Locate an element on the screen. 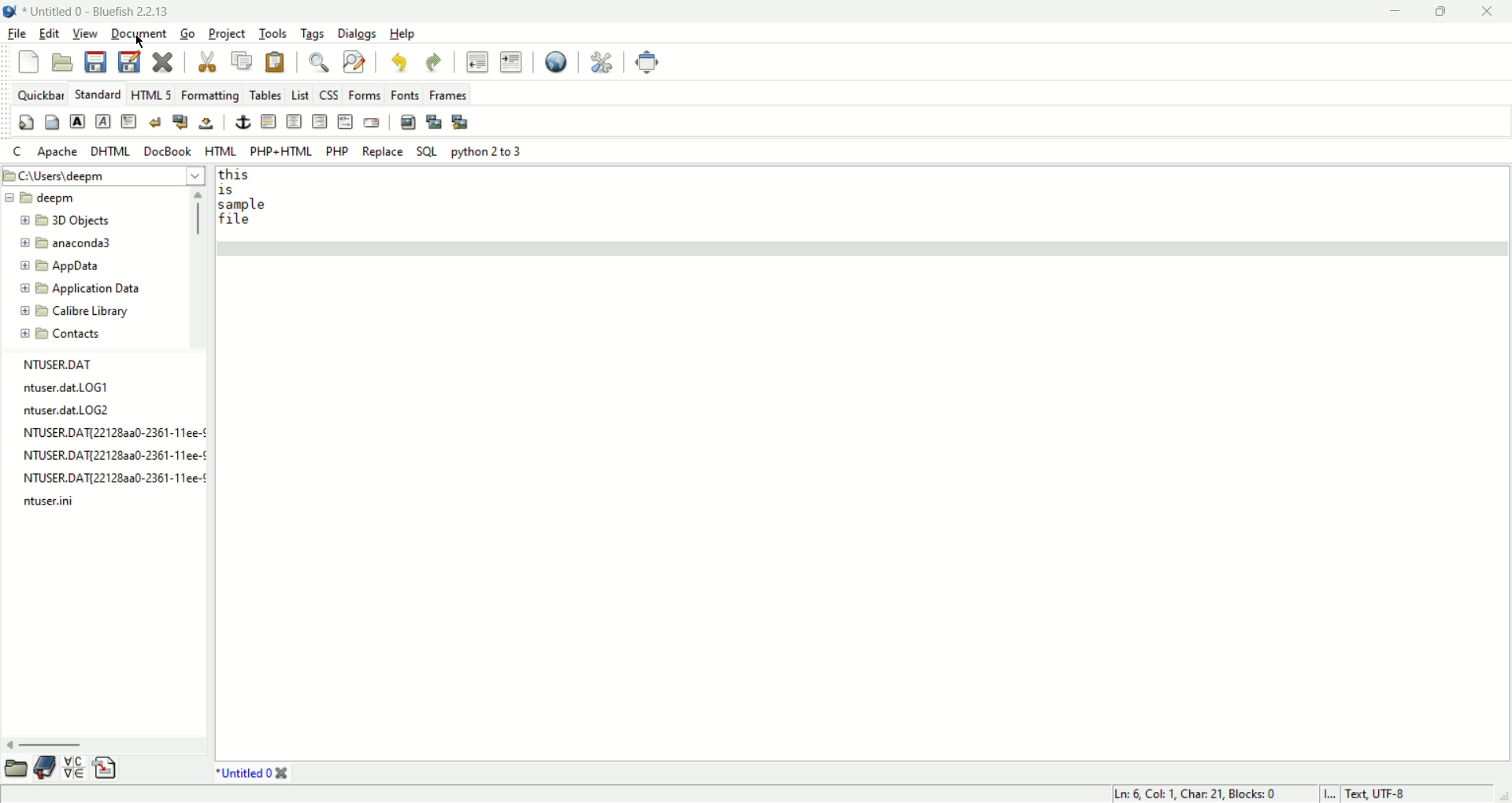  forms is located at coordinates (368, 95).